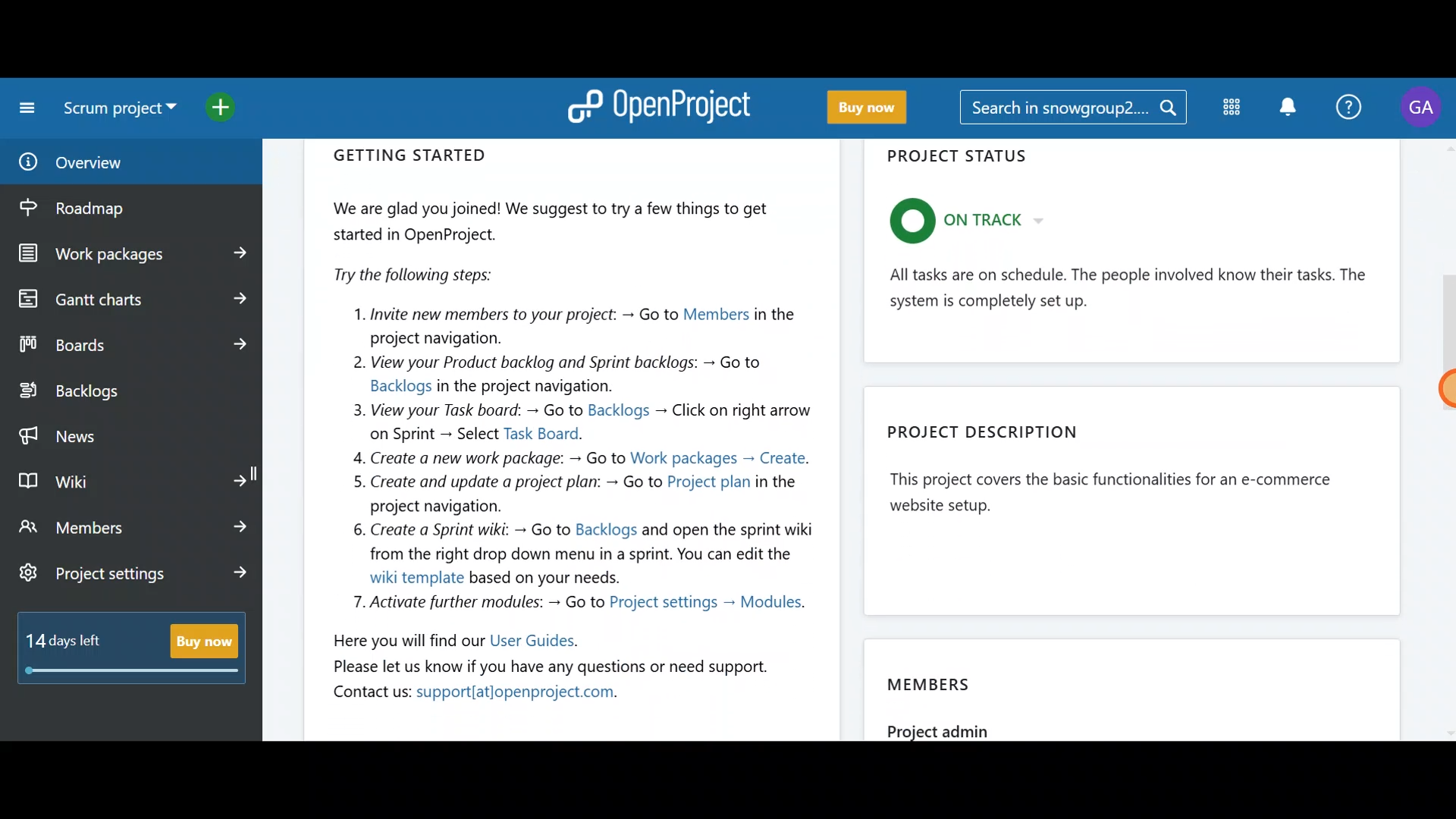 This screenshot has height=819, width=1456. Describe the element at coordinates (1435, 388) in the screenshot. I see `Cursor - mouse up` at that location.